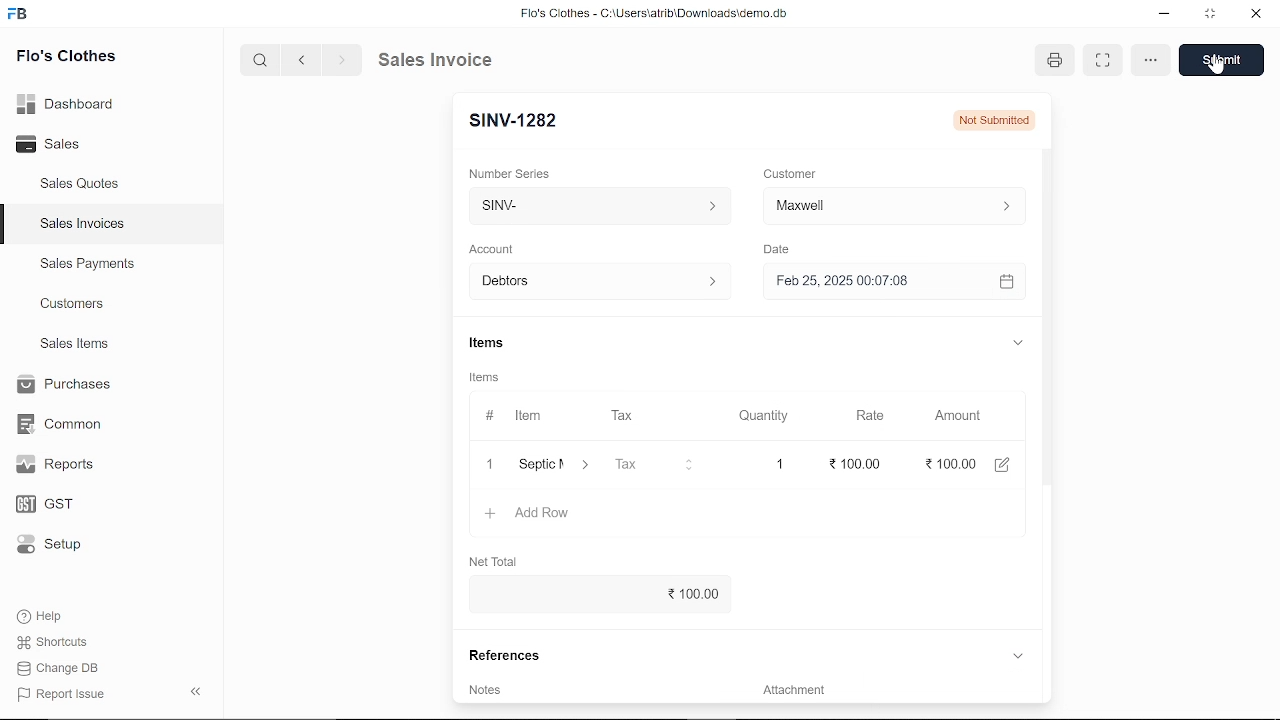 This screenshot has width=1280, height=720. What do you see at coordinates (1017, 655) in the screenshot?
I see `expand reference` at bounding box center [1017, 655].